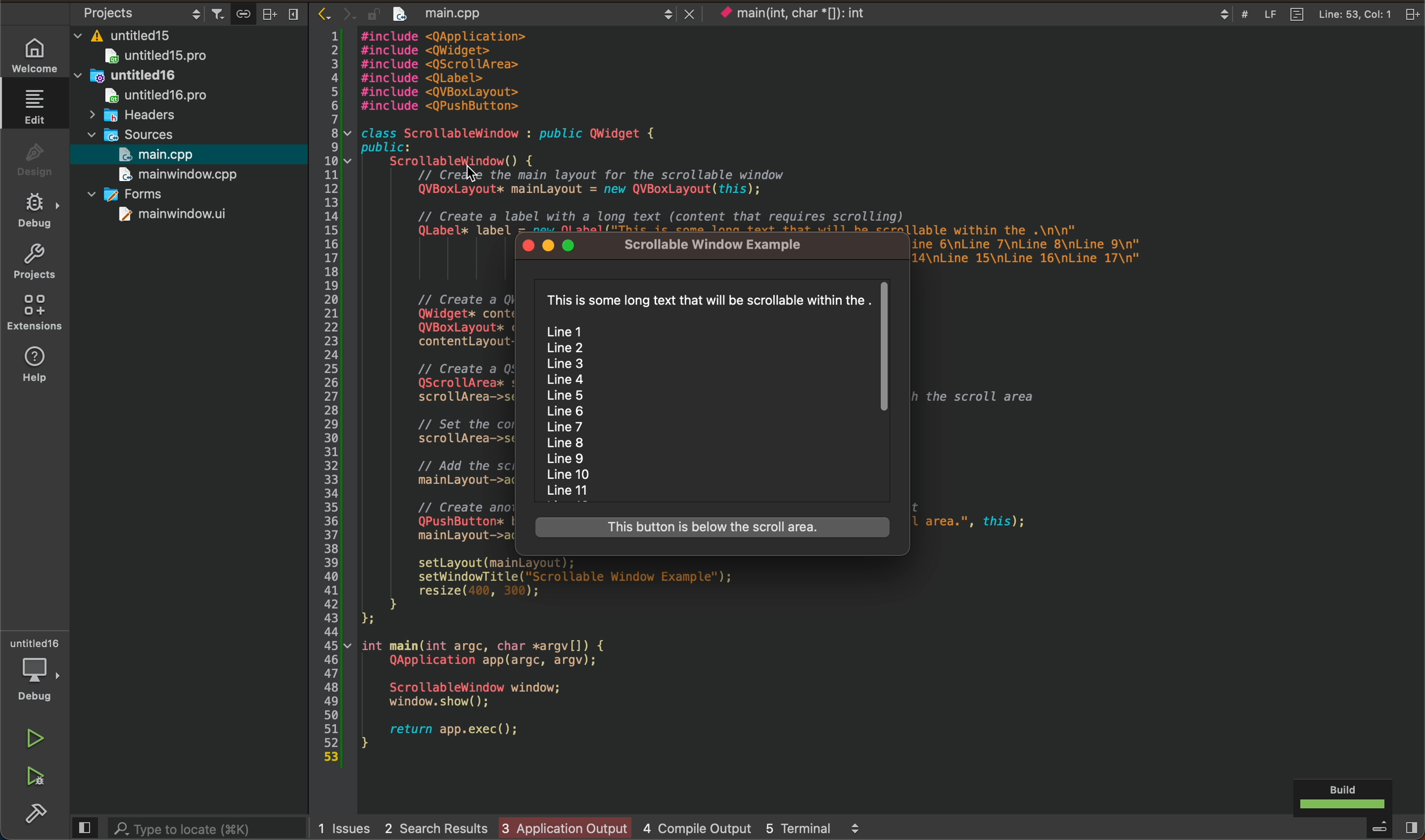  I want to click on scroll area with content, so click(714, 395).